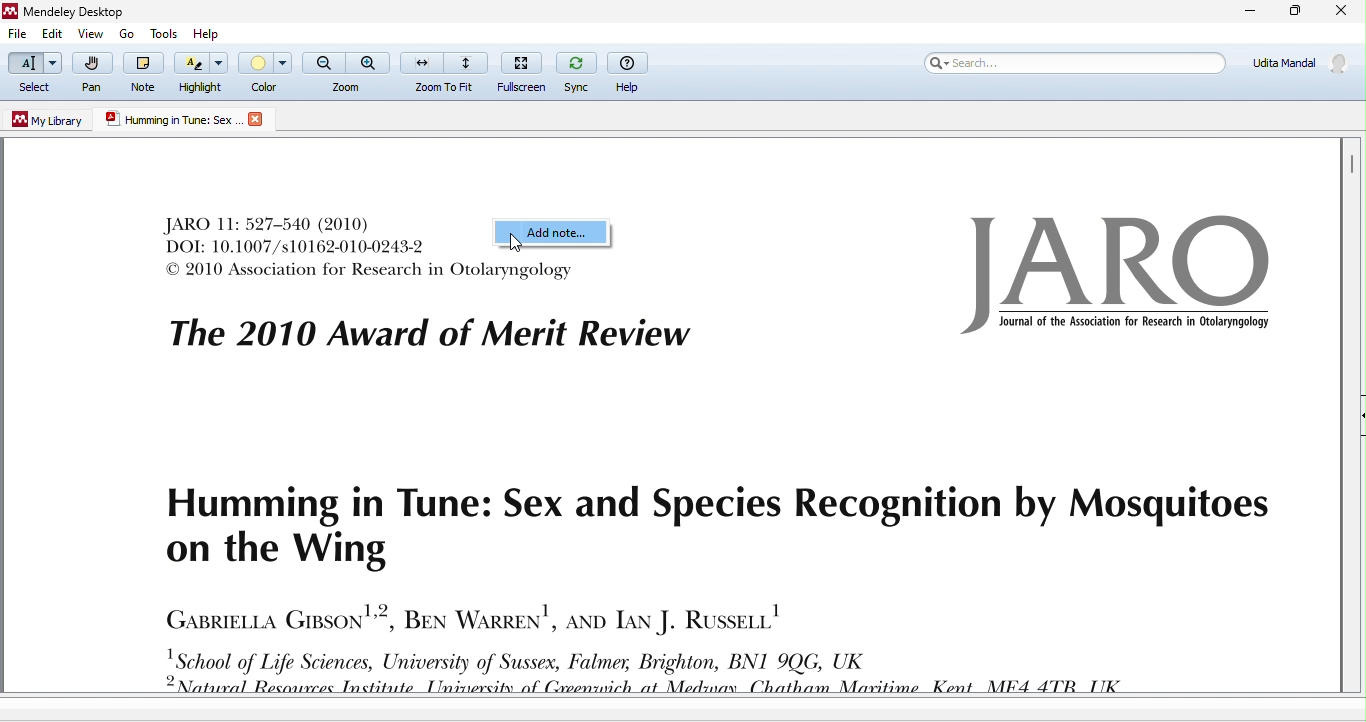 The image size is (1366, 722). I want to click on vertical scroll bar, so click(1352, 166).